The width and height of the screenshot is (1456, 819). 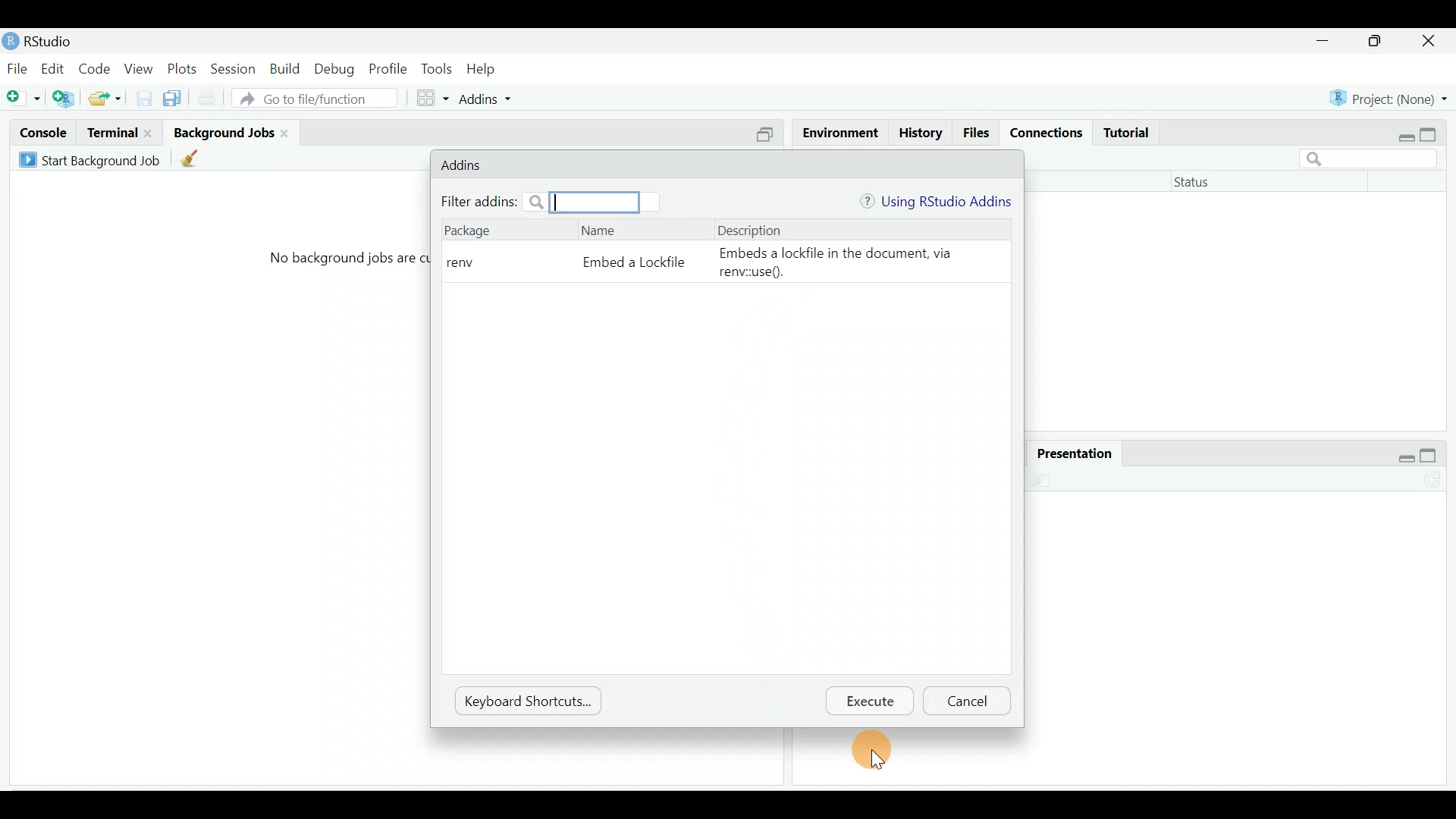 What do you see at coordinates (93, 161) in the screenshot?
I see `Start Background Job` at bounding box center [93, 161].